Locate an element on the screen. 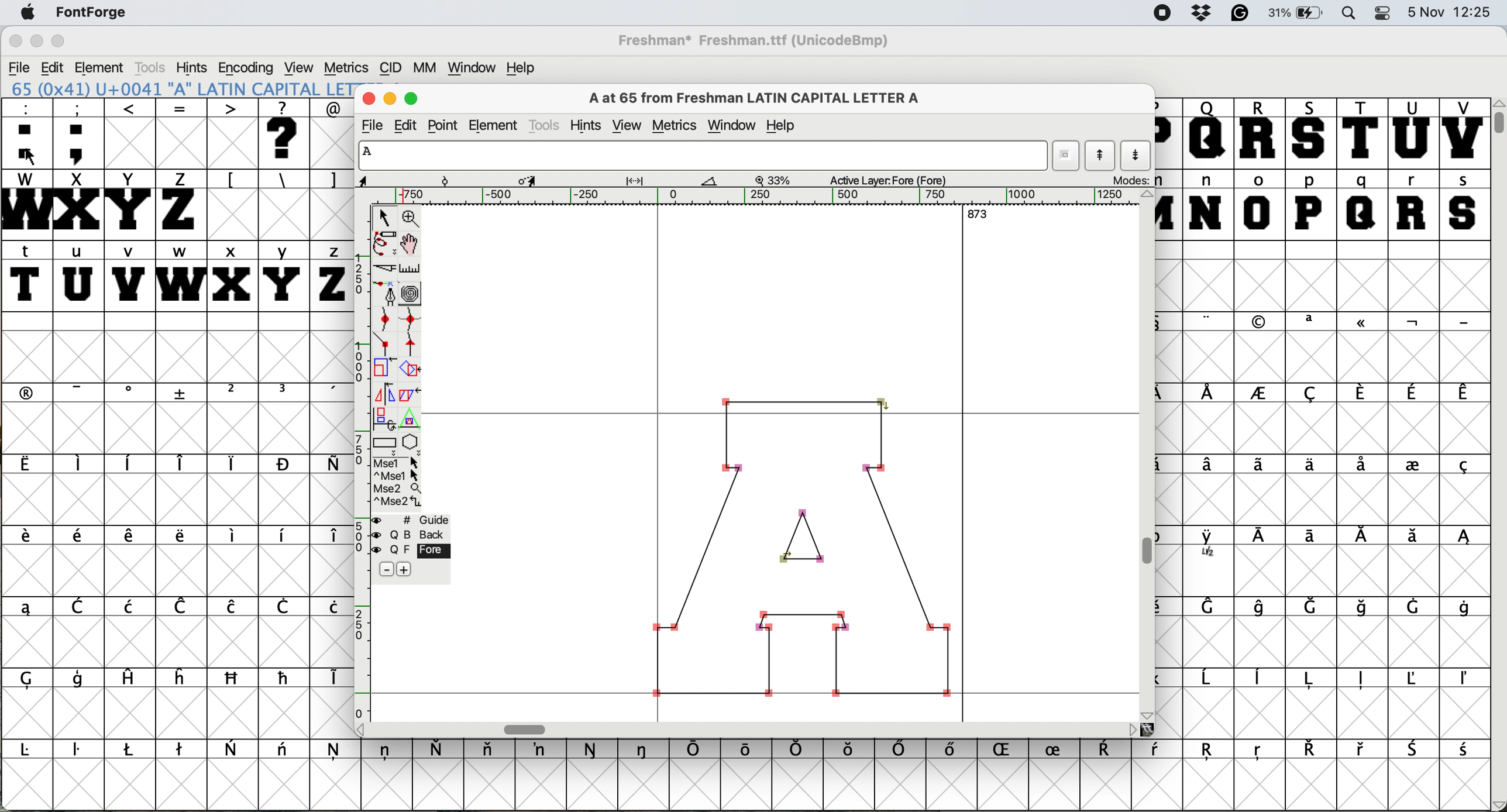 Image resolution: width=1507 pixels, height=812 pixels. star or polygon is located at coordinates (408, 444).